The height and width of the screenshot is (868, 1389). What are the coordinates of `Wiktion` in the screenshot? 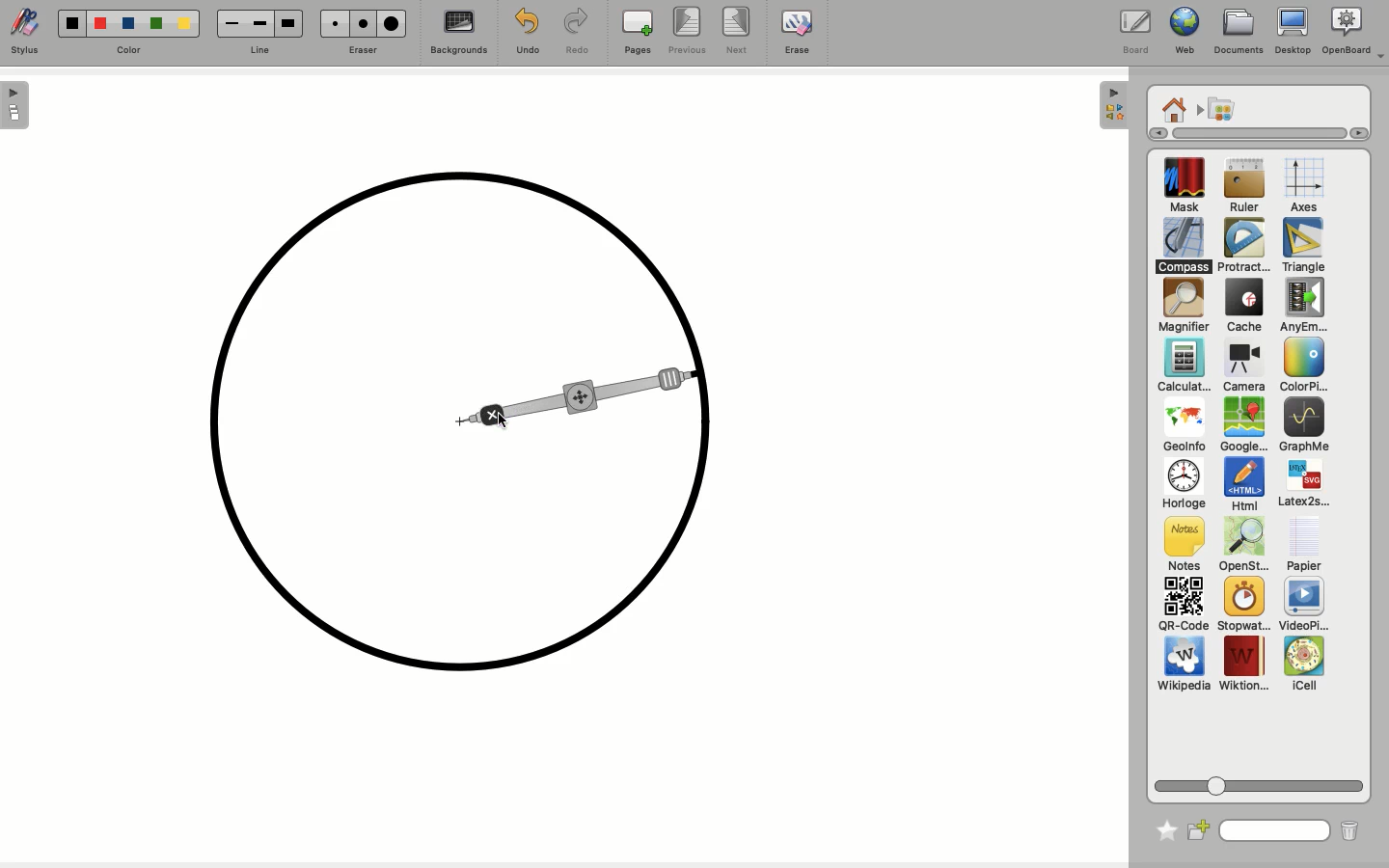 It's located at (1244, 665).